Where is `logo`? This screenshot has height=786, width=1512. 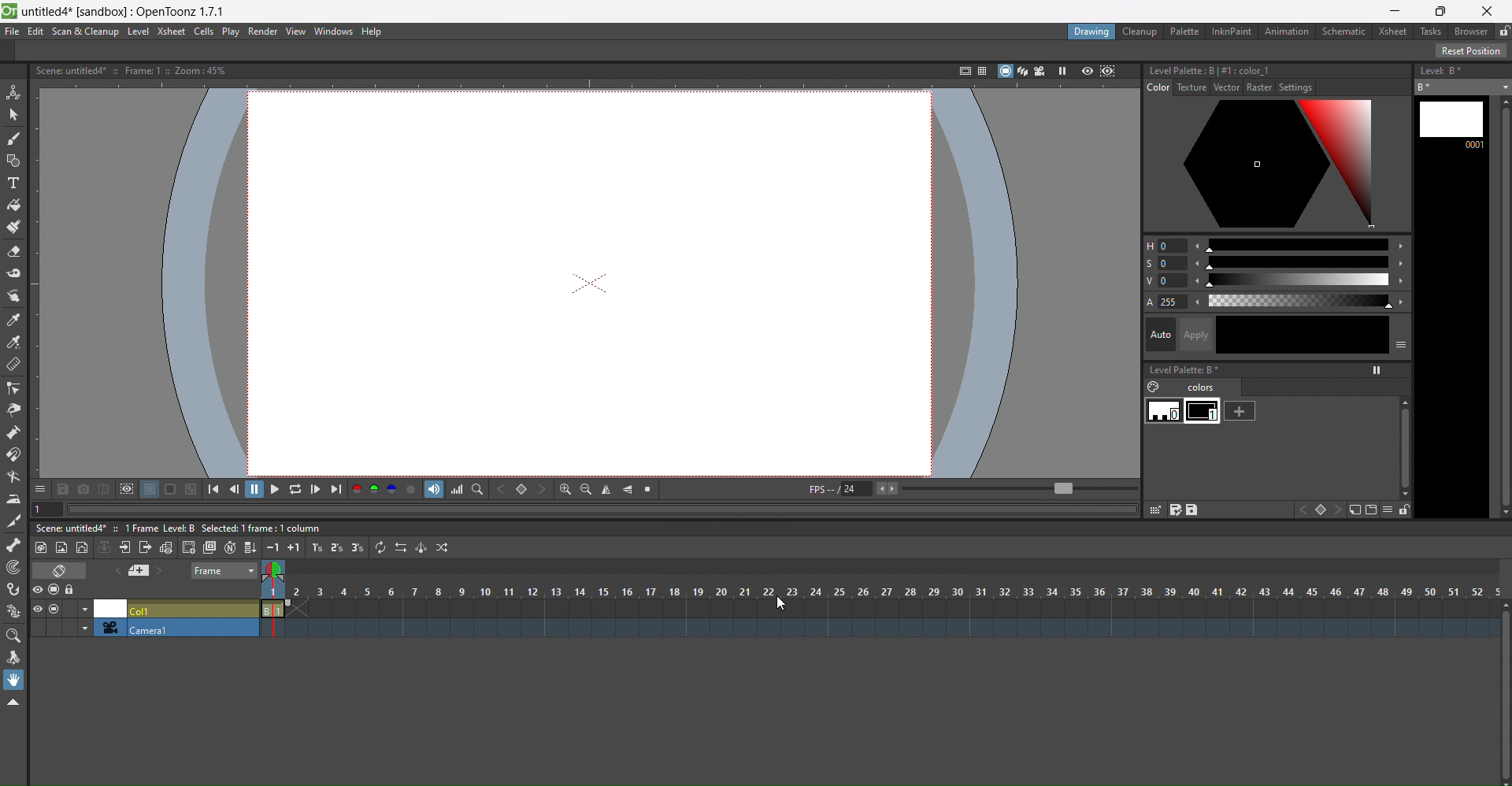
logo is located at coordinates (9, 12).